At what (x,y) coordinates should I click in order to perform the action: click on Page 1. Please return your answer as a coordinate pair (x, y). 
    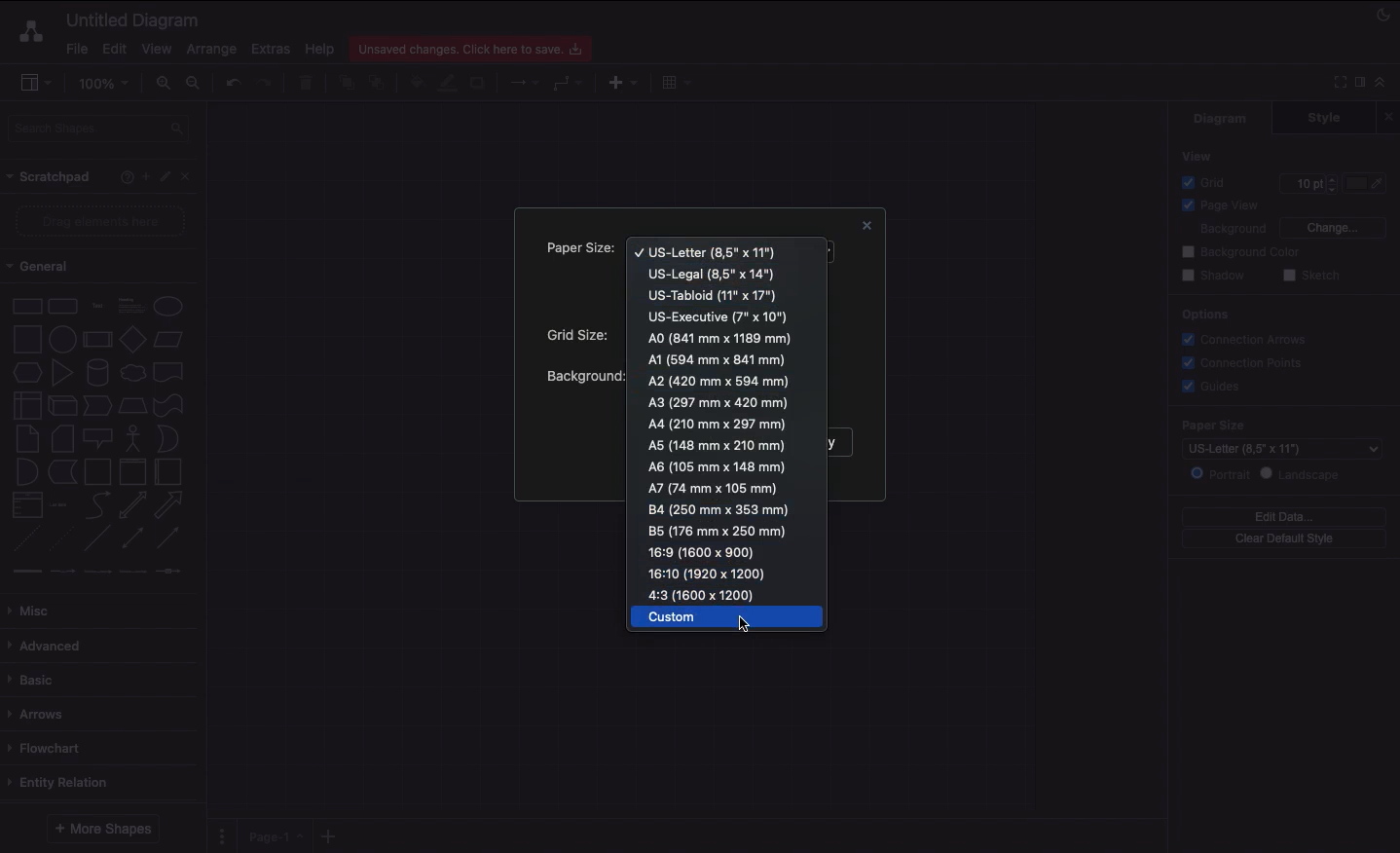
    Looking at the image, I should click on (273, 834).